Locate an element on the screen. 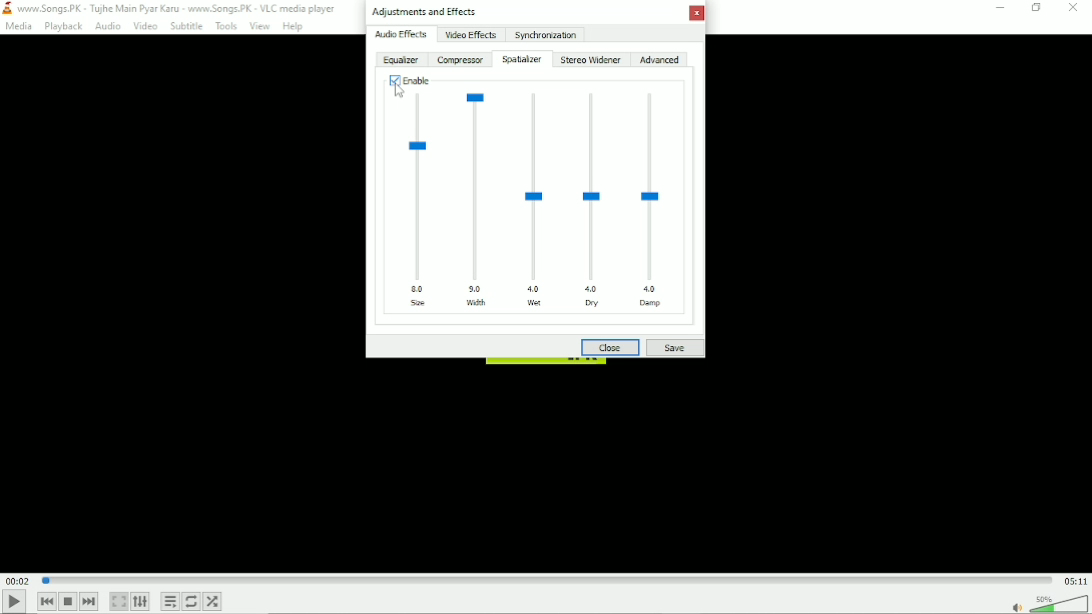 The width and height of the screenshot is (1092, 614). Save is located at coordinates (676, 349).